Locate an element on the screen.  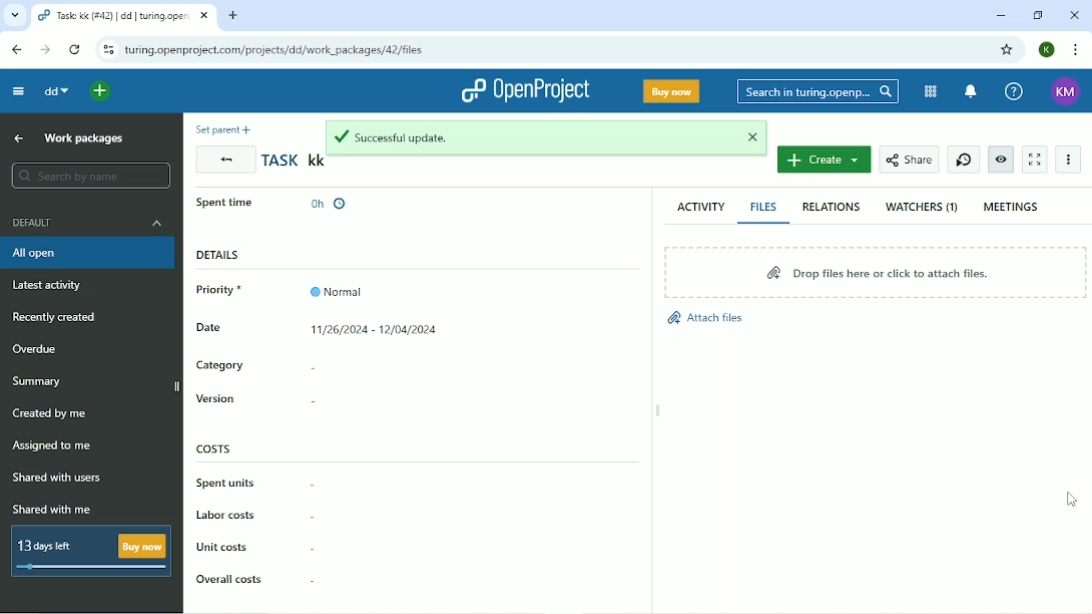
WATCHERS (1) is located at coordinates (921, 208).